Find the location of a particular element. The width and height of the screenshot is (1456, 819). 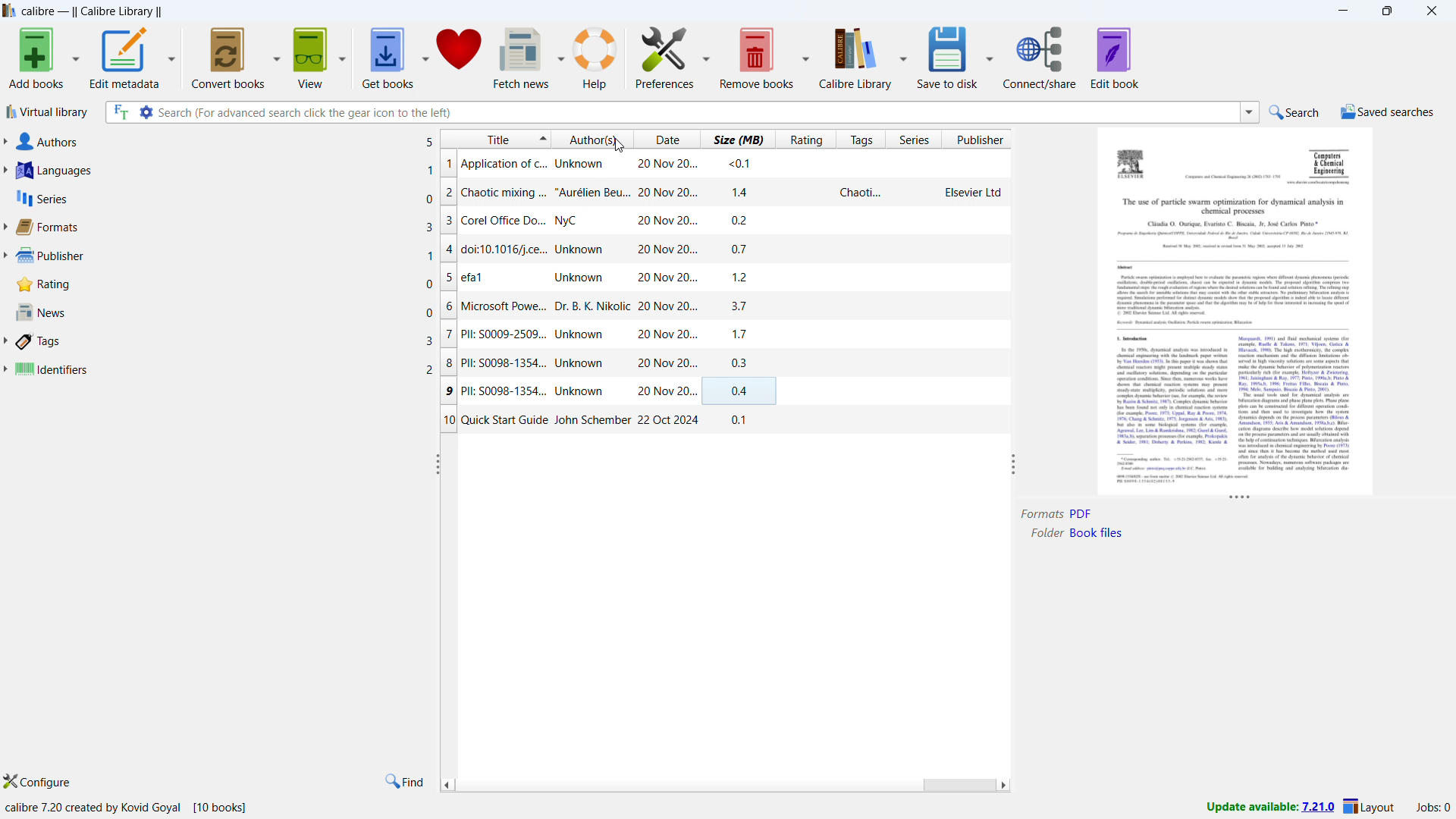

tags is located at coordinates (224, 342).